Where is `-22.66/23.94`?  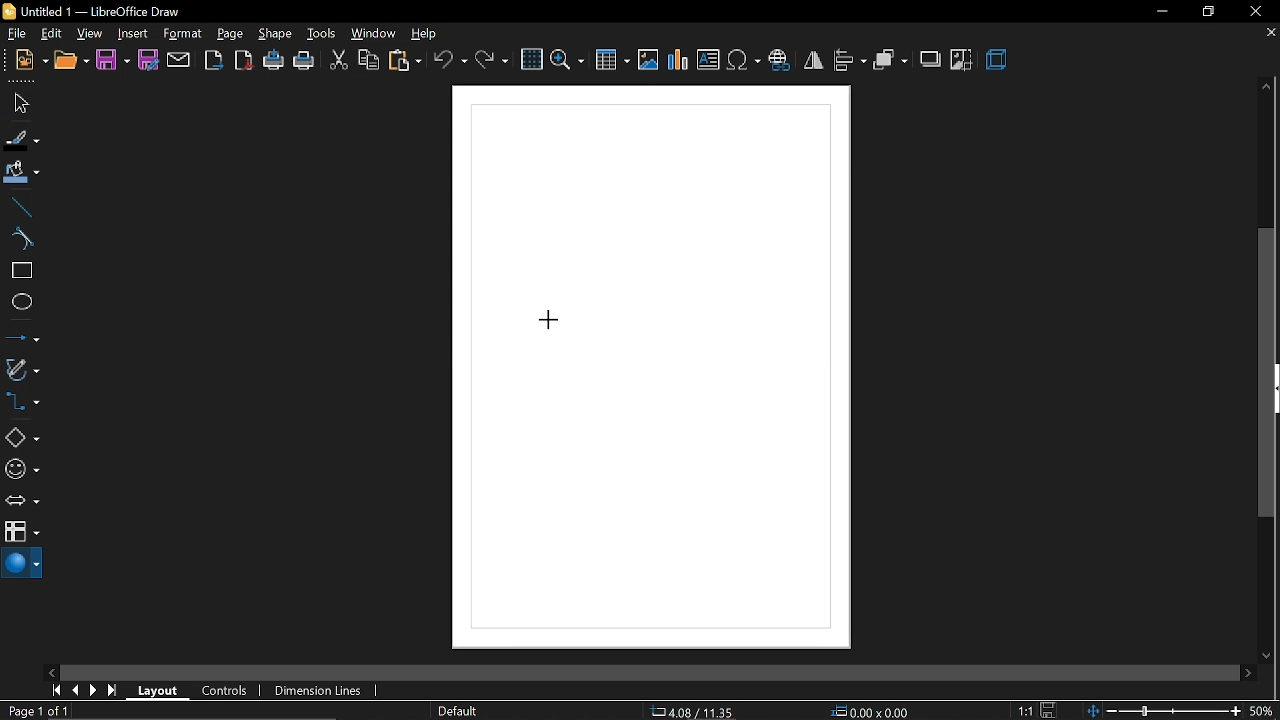
-22.66/23.94 is located at coordinates (702, 711).